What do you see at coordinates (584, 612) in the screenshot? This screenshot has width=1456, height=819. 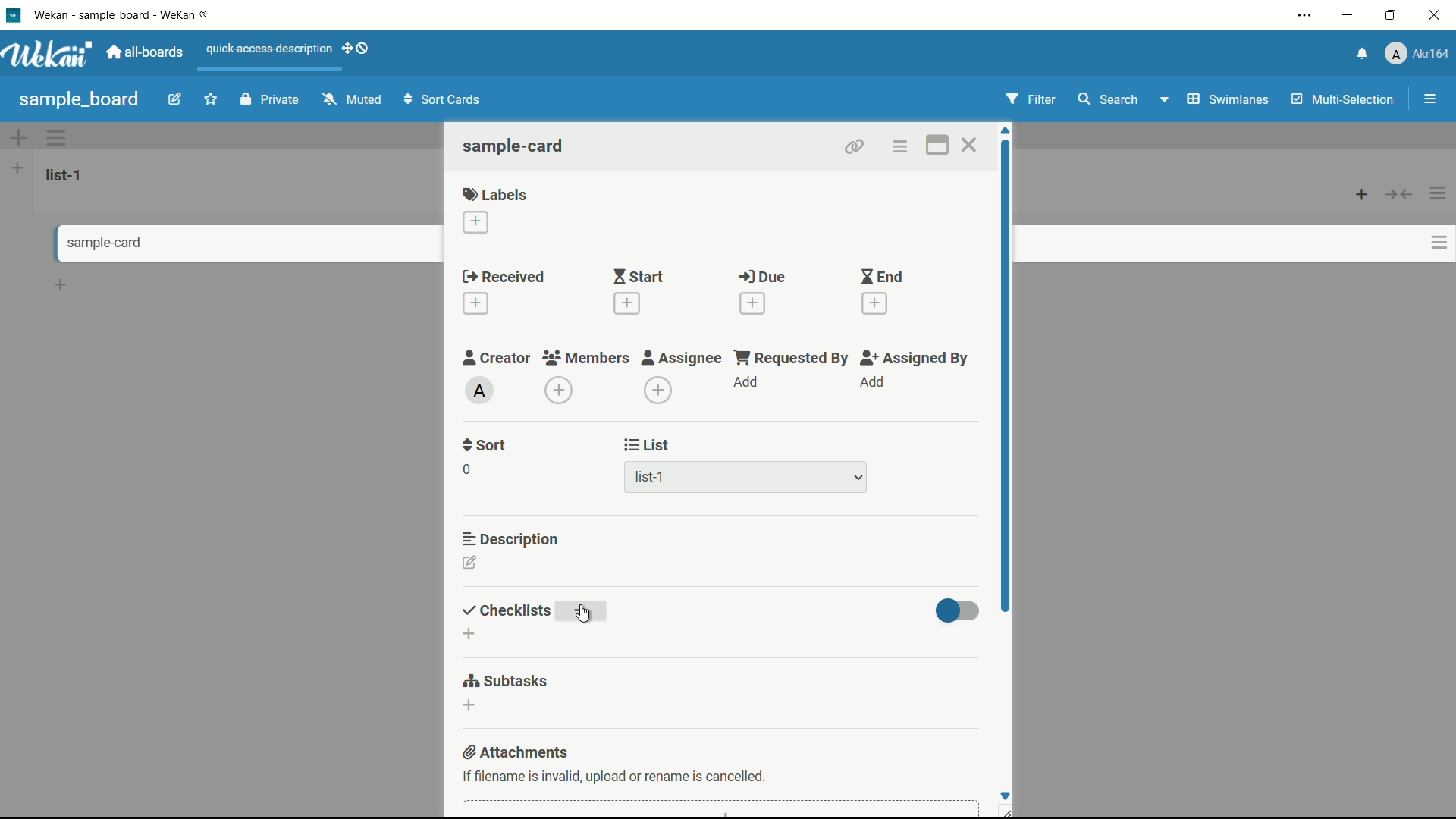 I see `add` at bounding box center [584, 612].